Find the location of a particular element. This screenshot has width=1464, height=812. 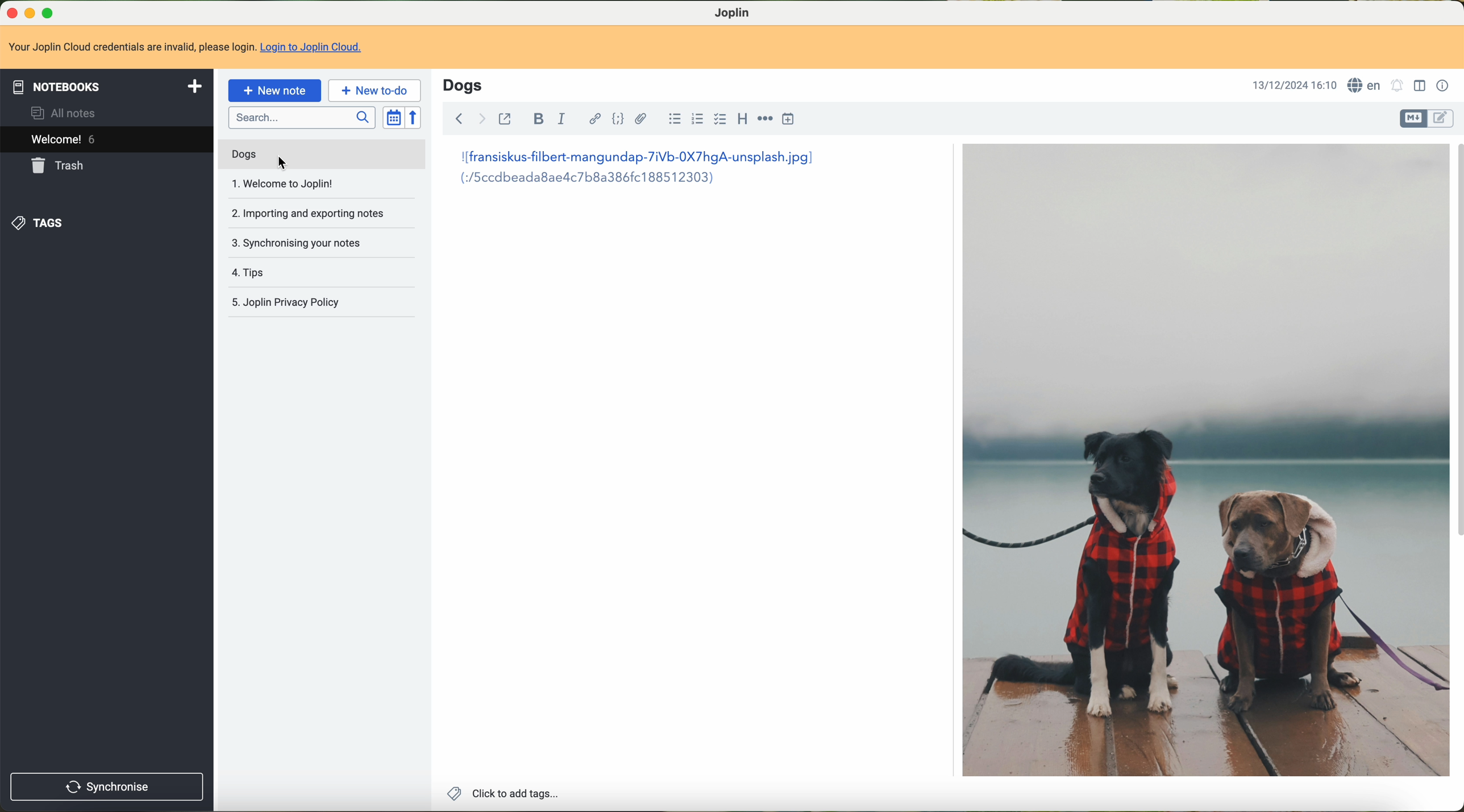

toggle editors is located at coordinates (1415, 118).